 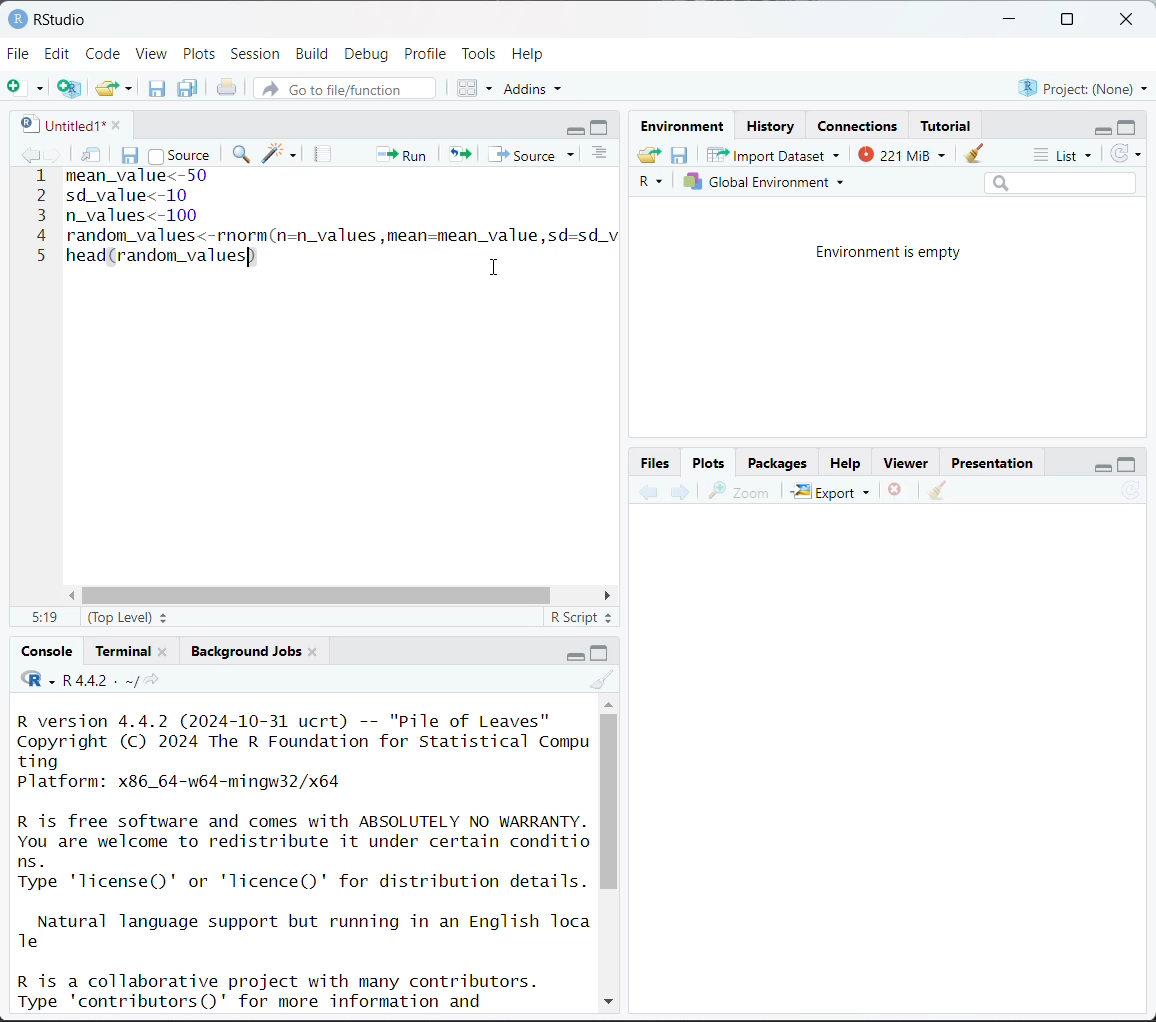 I want to click on R 4.4.2 . ~/, so click(x=99, y=680).